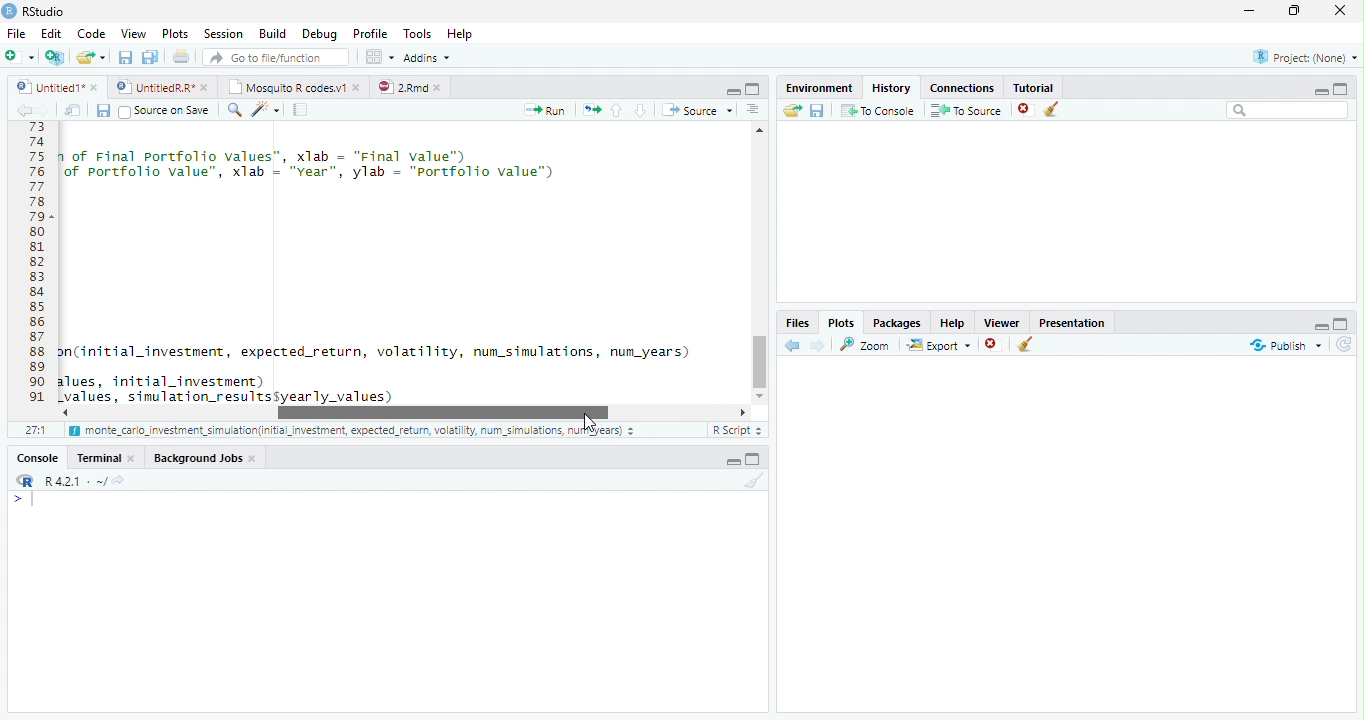  What do you see at coordinates (64, 412) in the screenshot?
I see `Scroll Left` at bounding box center [64, 412].